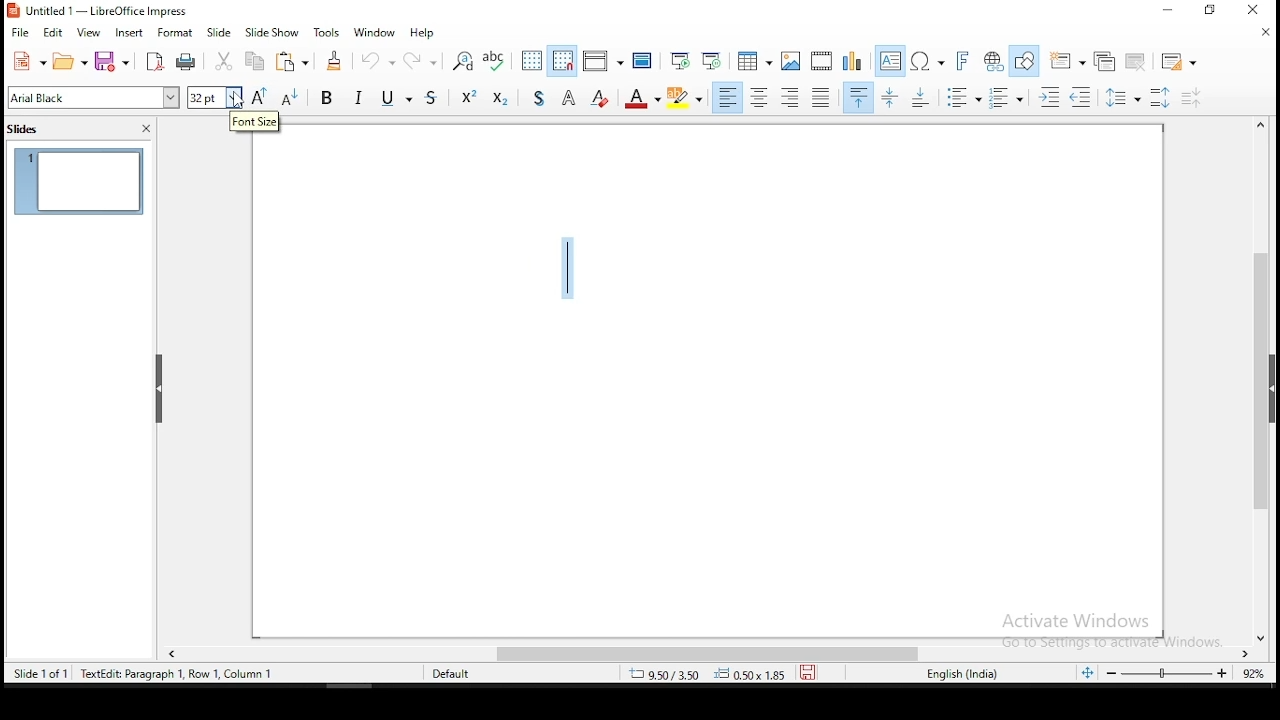  What do you see at coordinates (643, 59) in the screenshot?
I see `master slide` at bounding box center [643, 59].